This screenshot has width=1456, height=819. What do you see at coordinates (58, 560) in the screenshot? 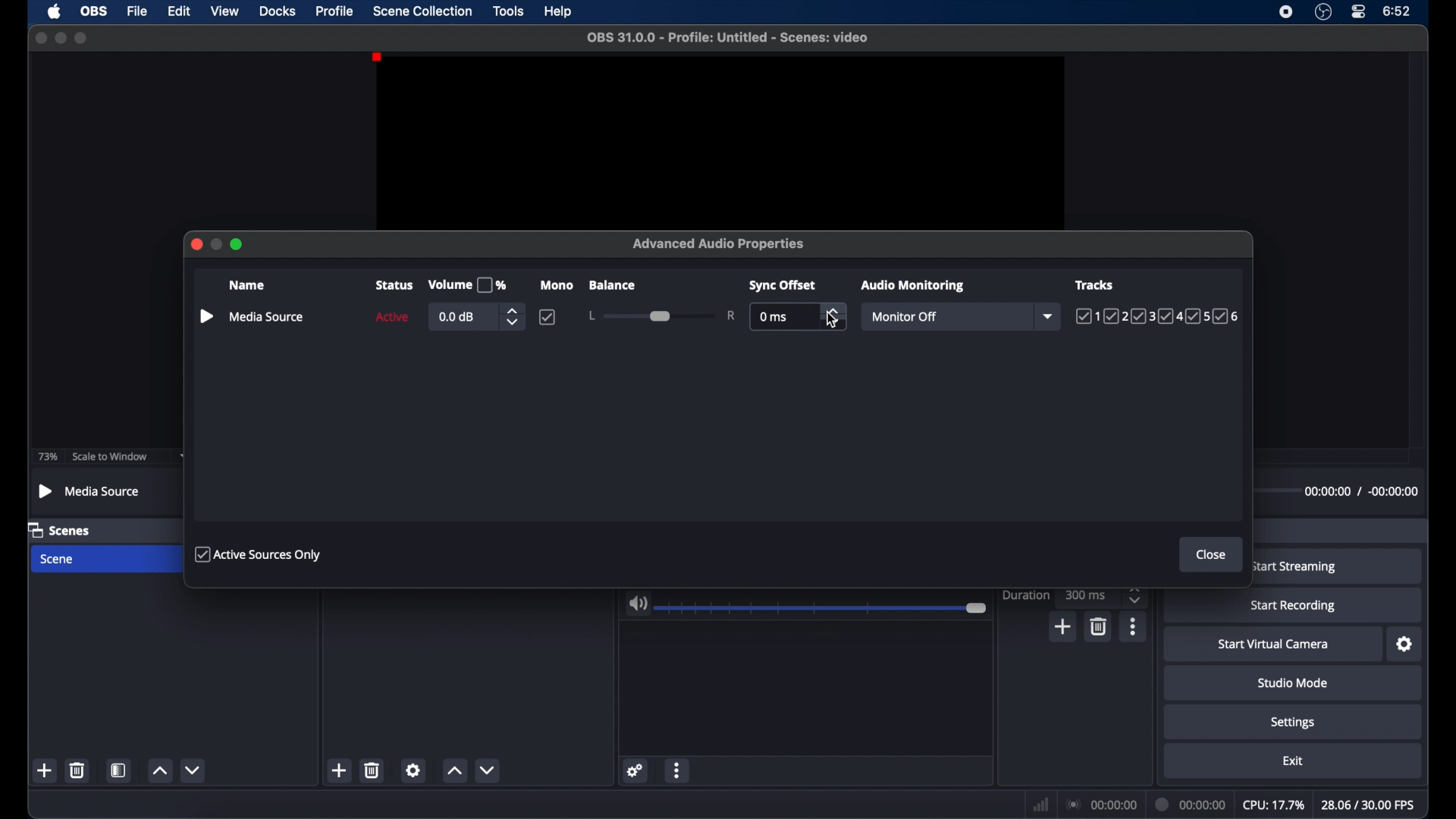
I see `scene` at bounding box center [58, 560].